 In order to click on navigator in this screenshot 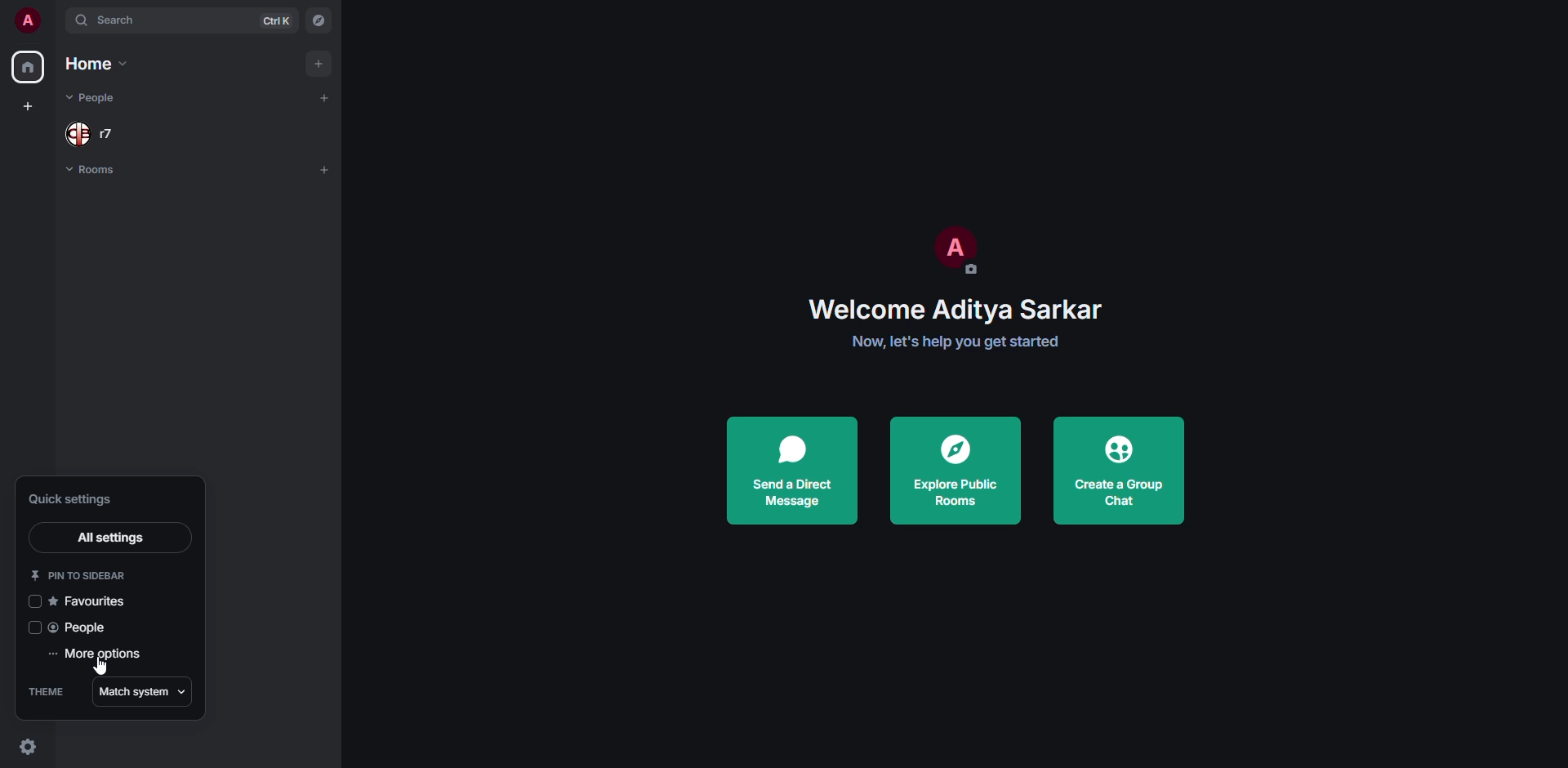, I will do `click(318, 20)`.